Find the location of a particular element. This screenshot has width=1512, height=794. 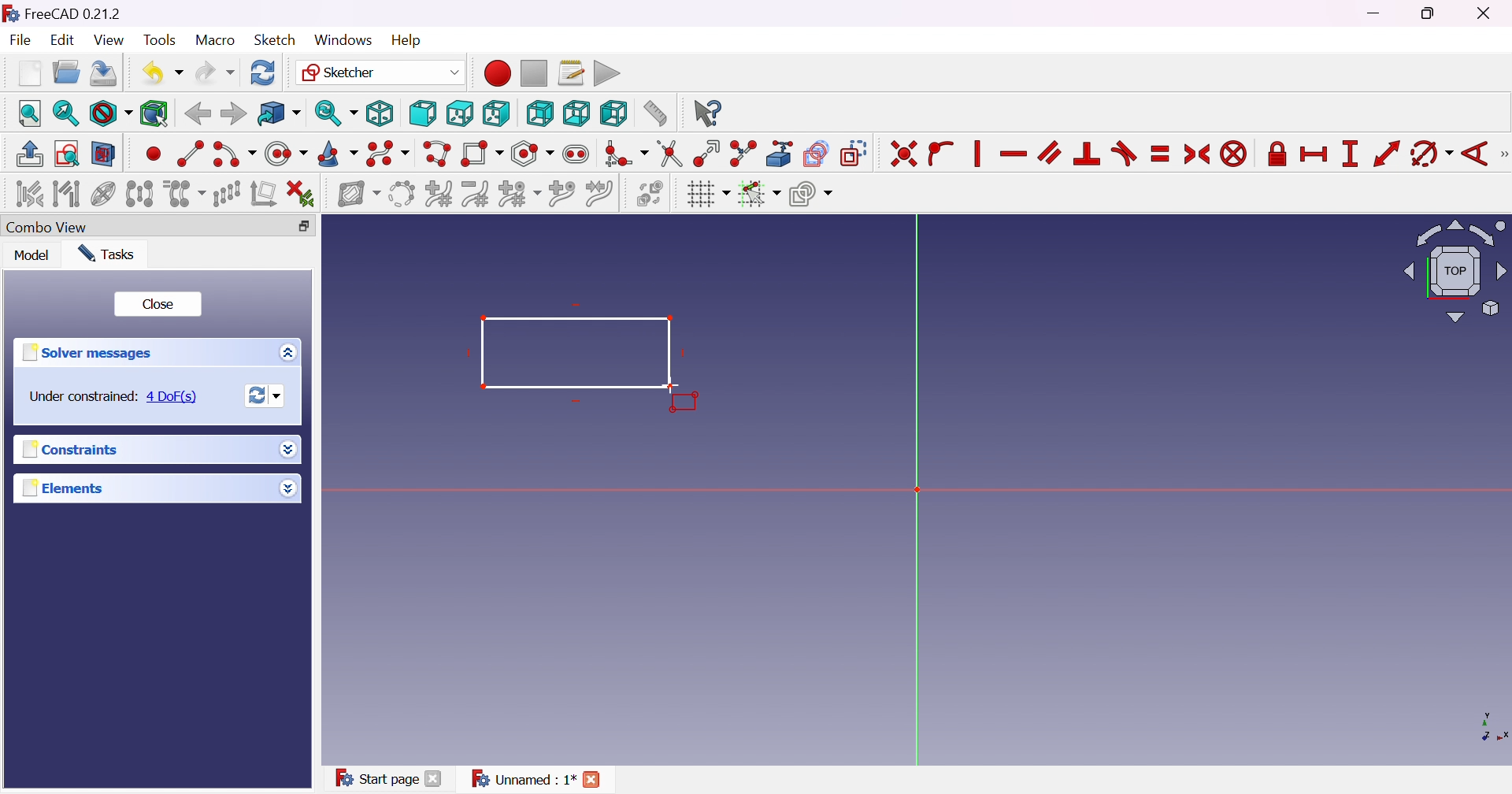

Constrain vertical distance is located at coordinates (1350, 154).